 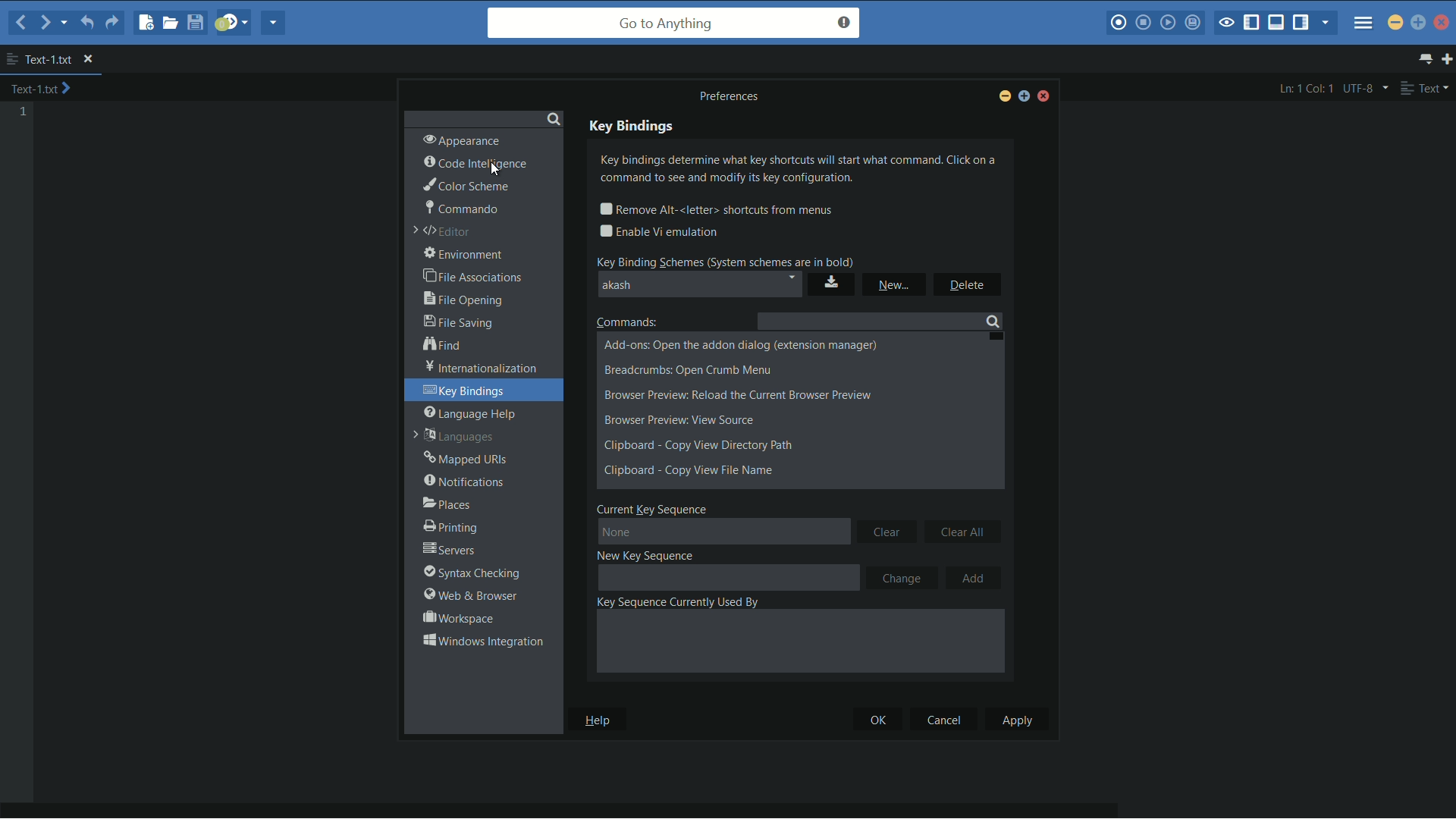 I want to click on help, so click(x=600, y=720).